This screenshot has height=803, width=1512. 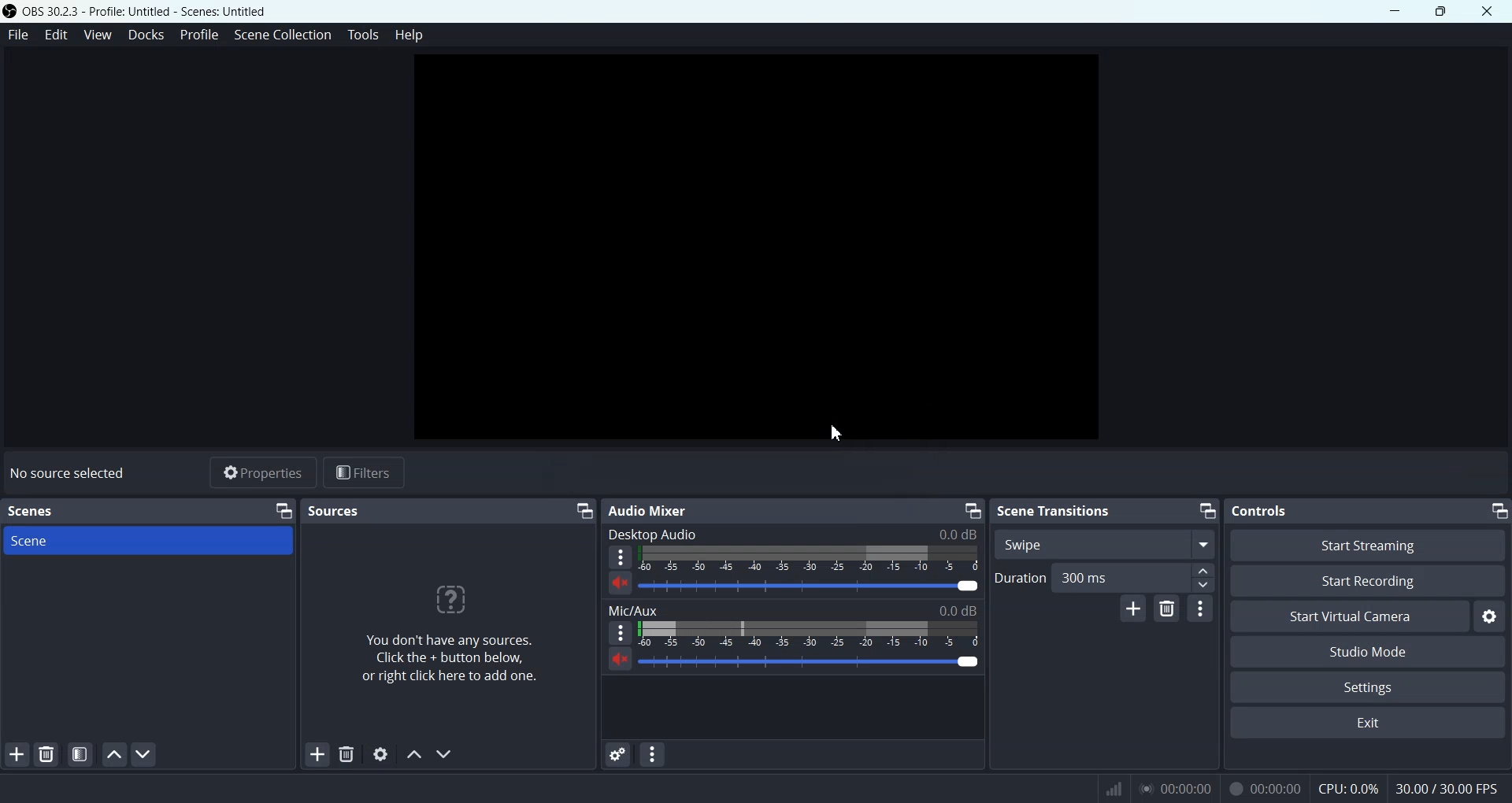 What do you see at coordinates (113, 754) in the screenshot?
I see `Move scene up` at bounding box center [113, 754].